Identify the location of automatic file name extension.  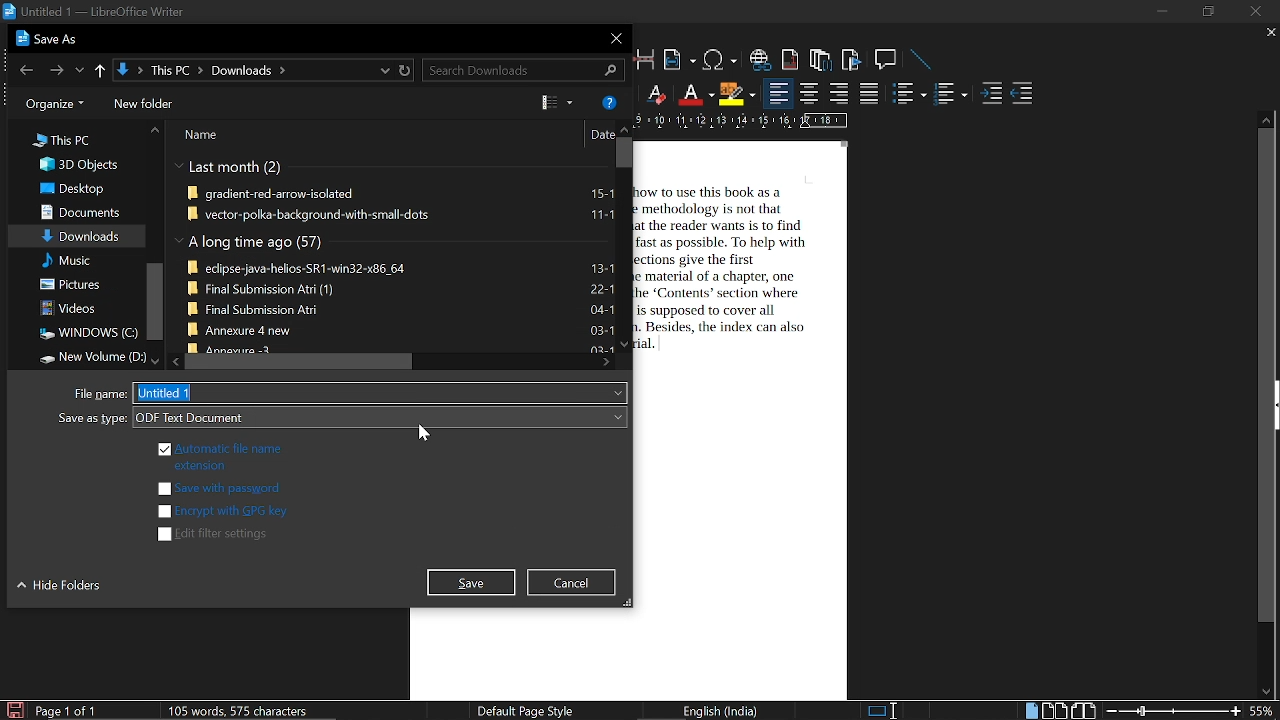
(218, 455).